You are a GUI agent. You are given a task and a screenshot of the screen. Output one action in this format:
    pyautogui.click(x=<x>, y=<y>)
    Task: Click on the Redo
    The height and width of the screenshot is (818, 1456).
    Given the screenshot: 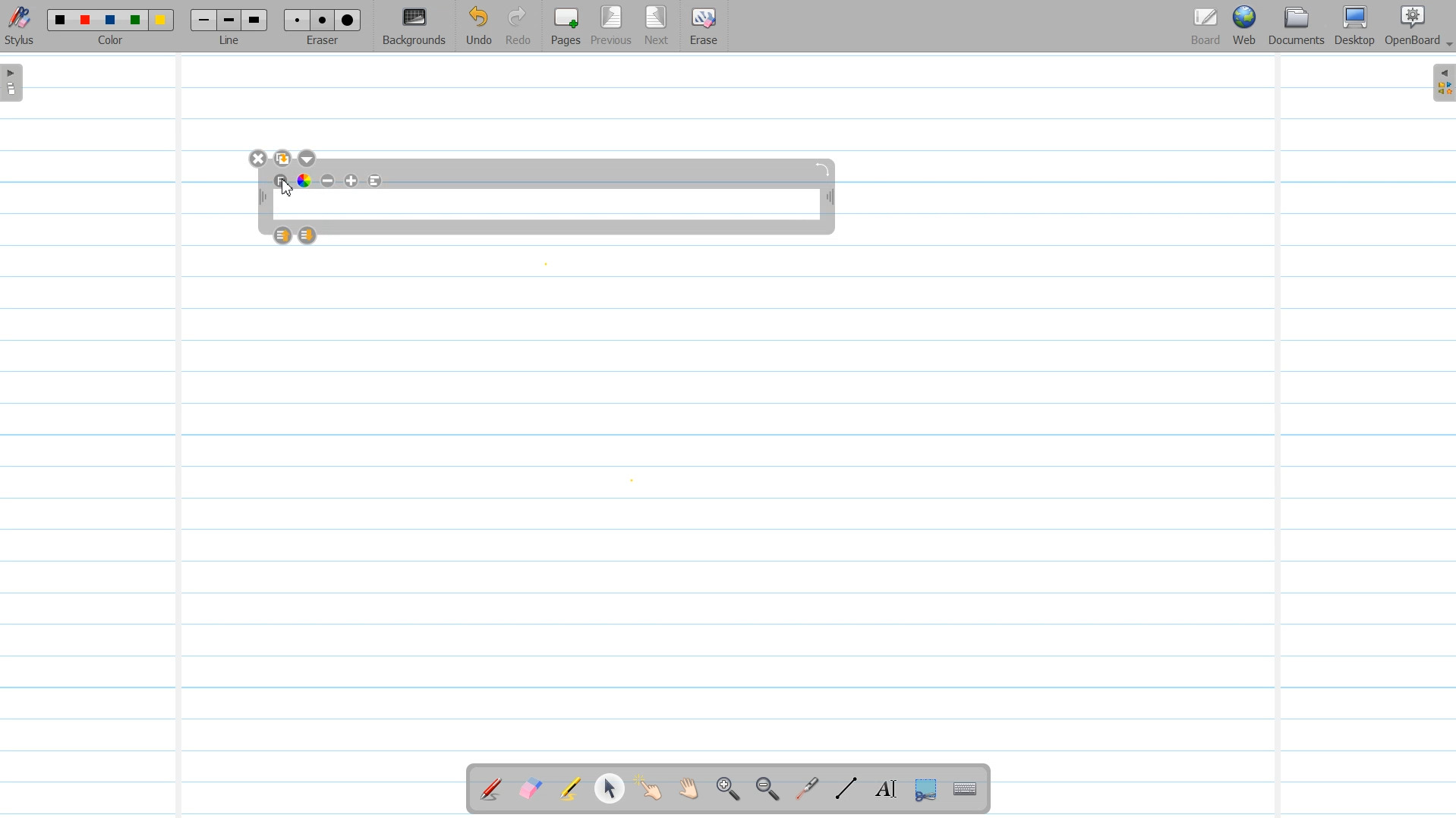 What is the action you would take?
    pyautogui.click(x=518, y=27)
    